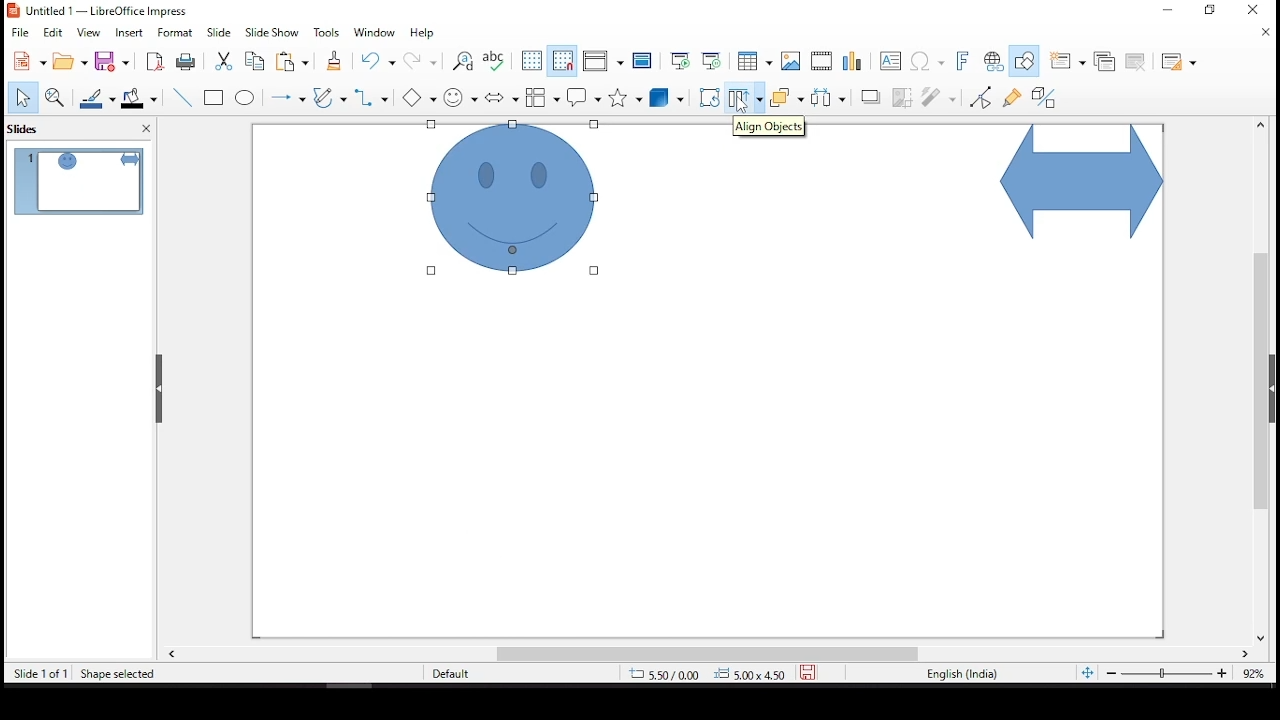 This screenshot has width=1280, height=720. What do you see at coordinates (903, 95) in the screenshot?
I see `crop image` at bounding box center [903, 95].